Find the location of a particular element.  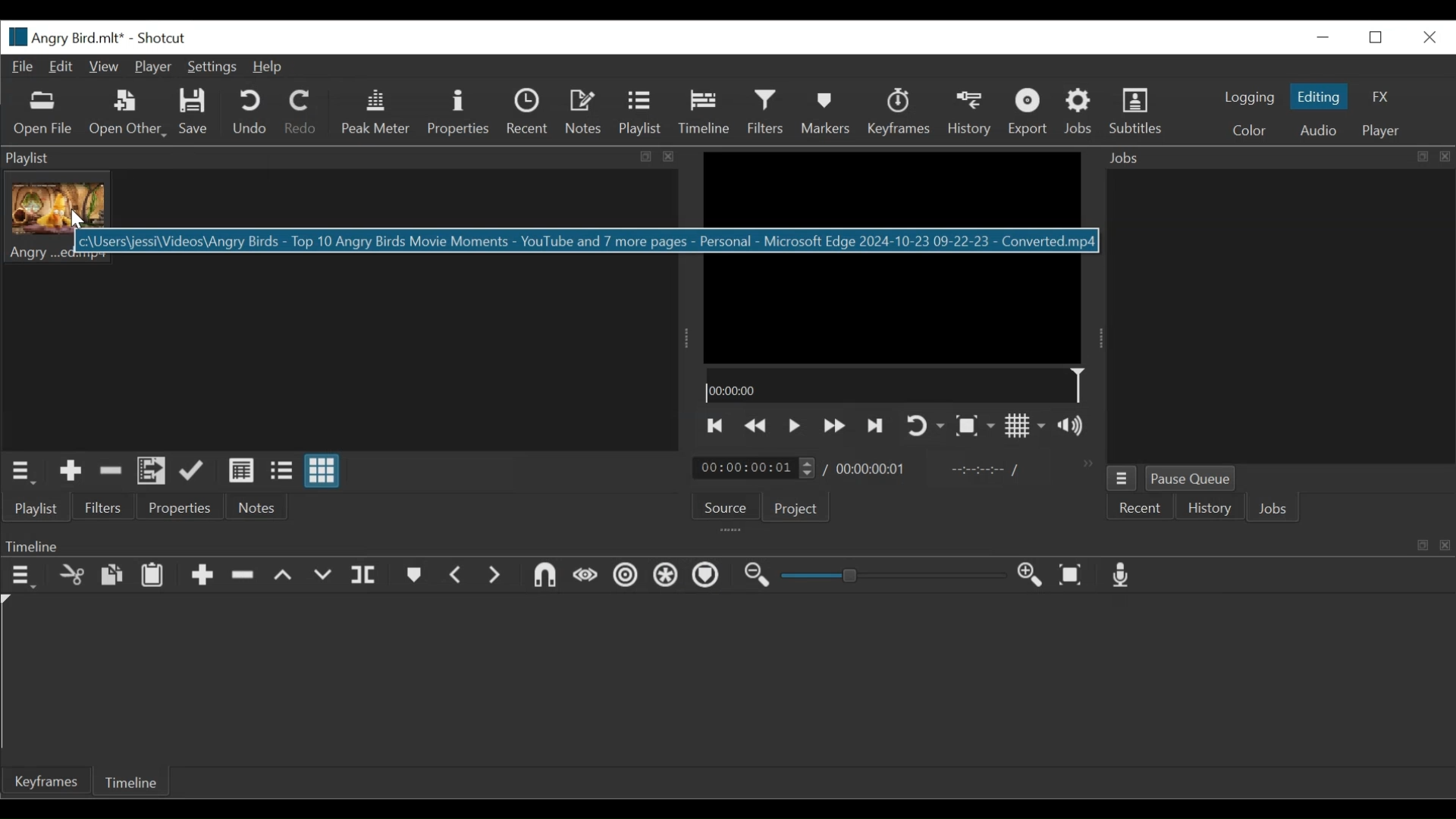

Timeline is located at coordinates (893, 385).